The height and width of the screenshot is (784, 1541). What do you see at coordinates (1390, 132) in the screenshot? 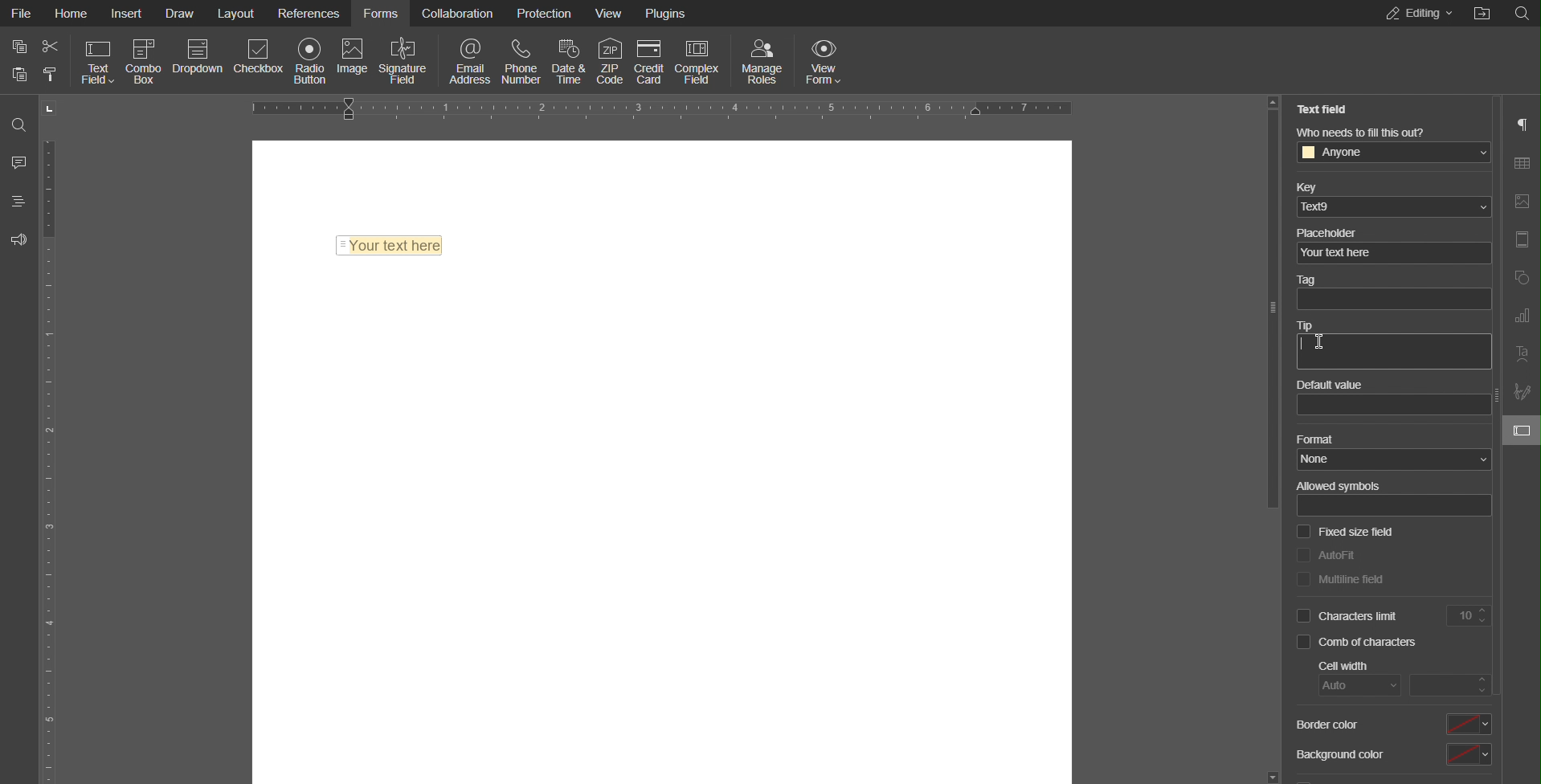
I see `Who needs to fill this out` at bounding box center [1390, 132].